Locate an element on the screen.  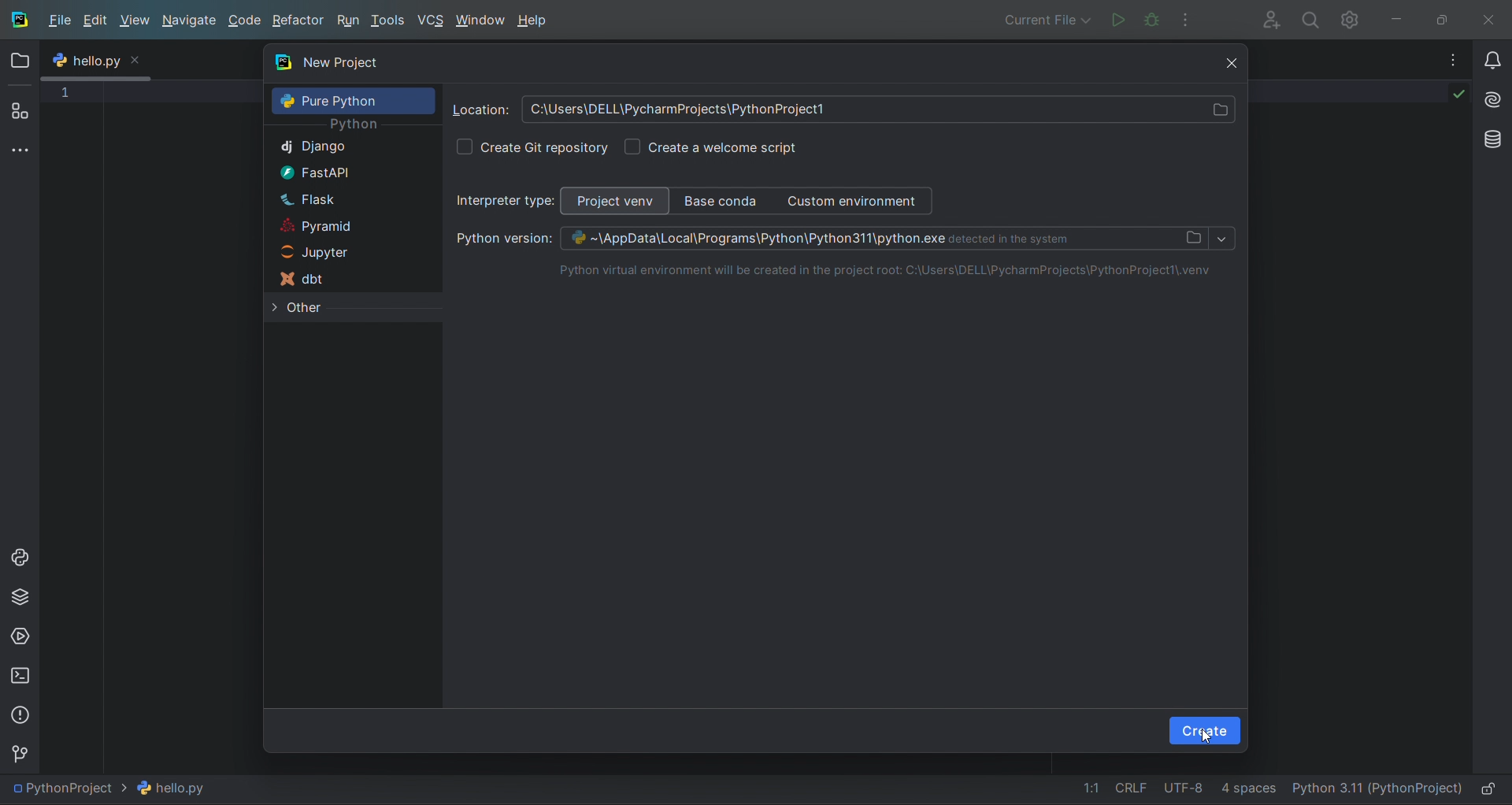
location is located at coordinates (480, 109).